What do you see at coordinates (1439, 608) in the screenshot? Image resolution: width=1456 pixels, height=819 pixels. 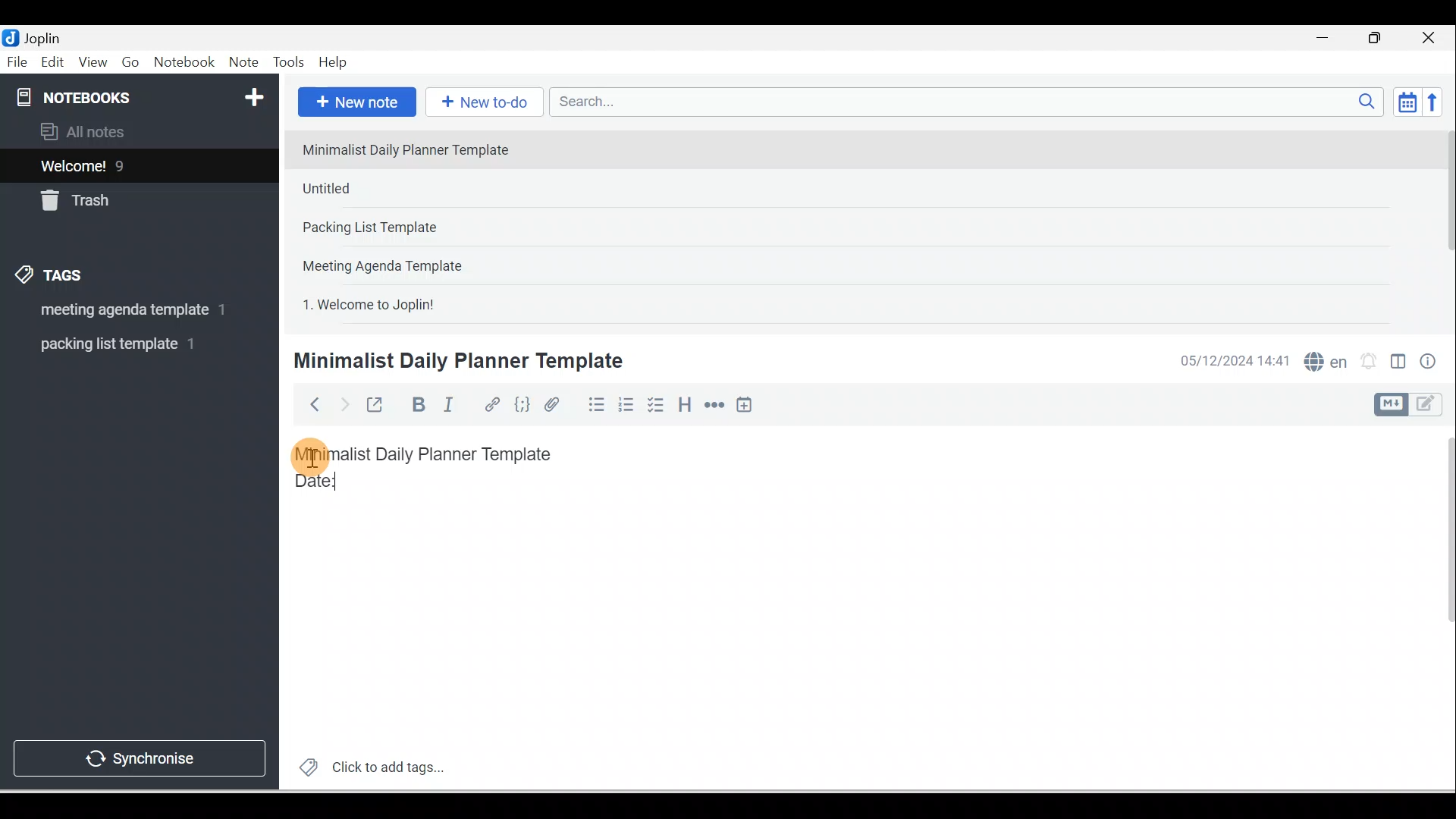 I see `Scroll bar` at bounding box center [1439, 608].